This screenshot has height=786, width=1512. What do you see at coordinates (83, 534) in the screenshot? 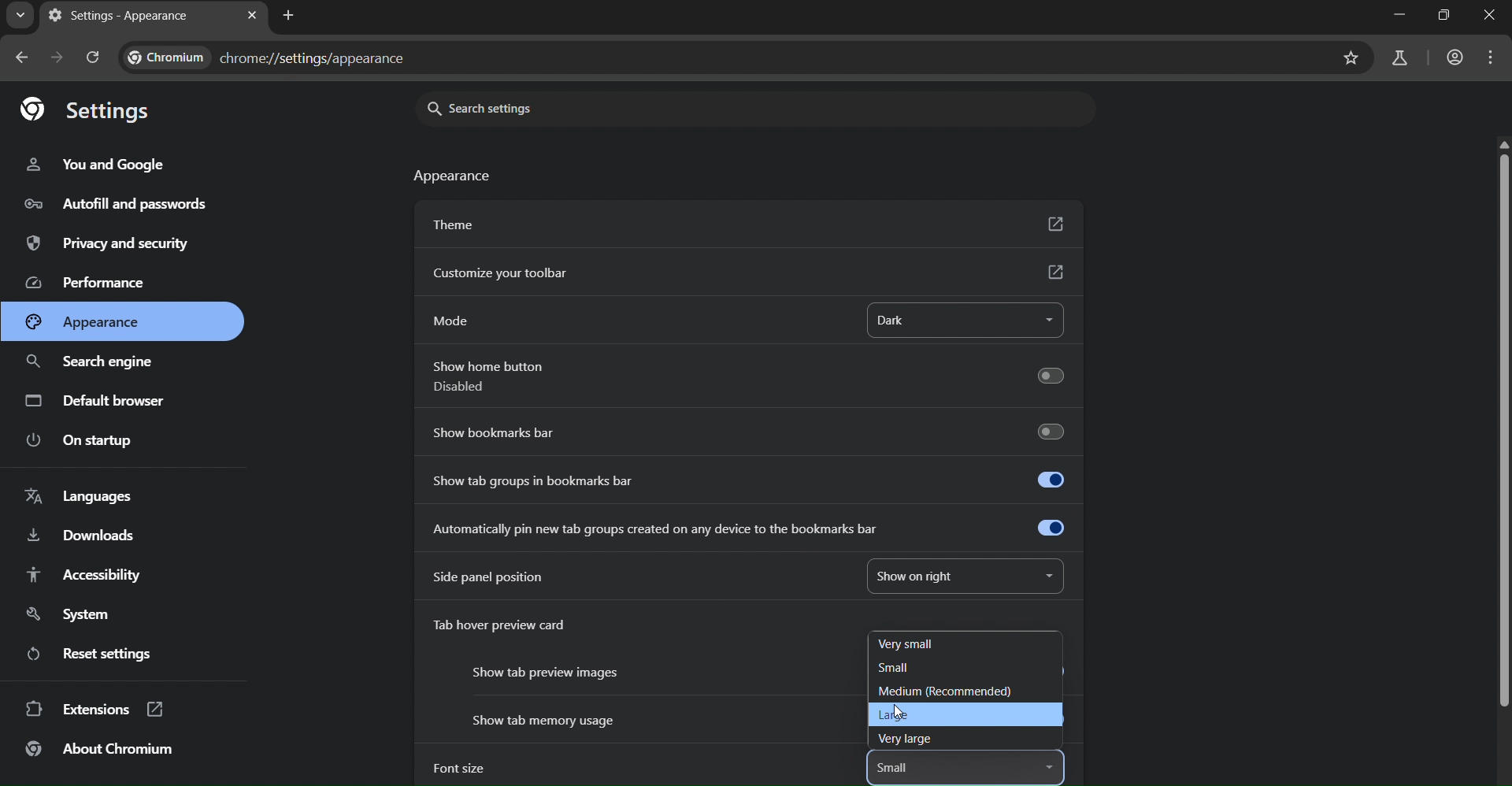
I see `downloads` at bounding box center [83, 534].